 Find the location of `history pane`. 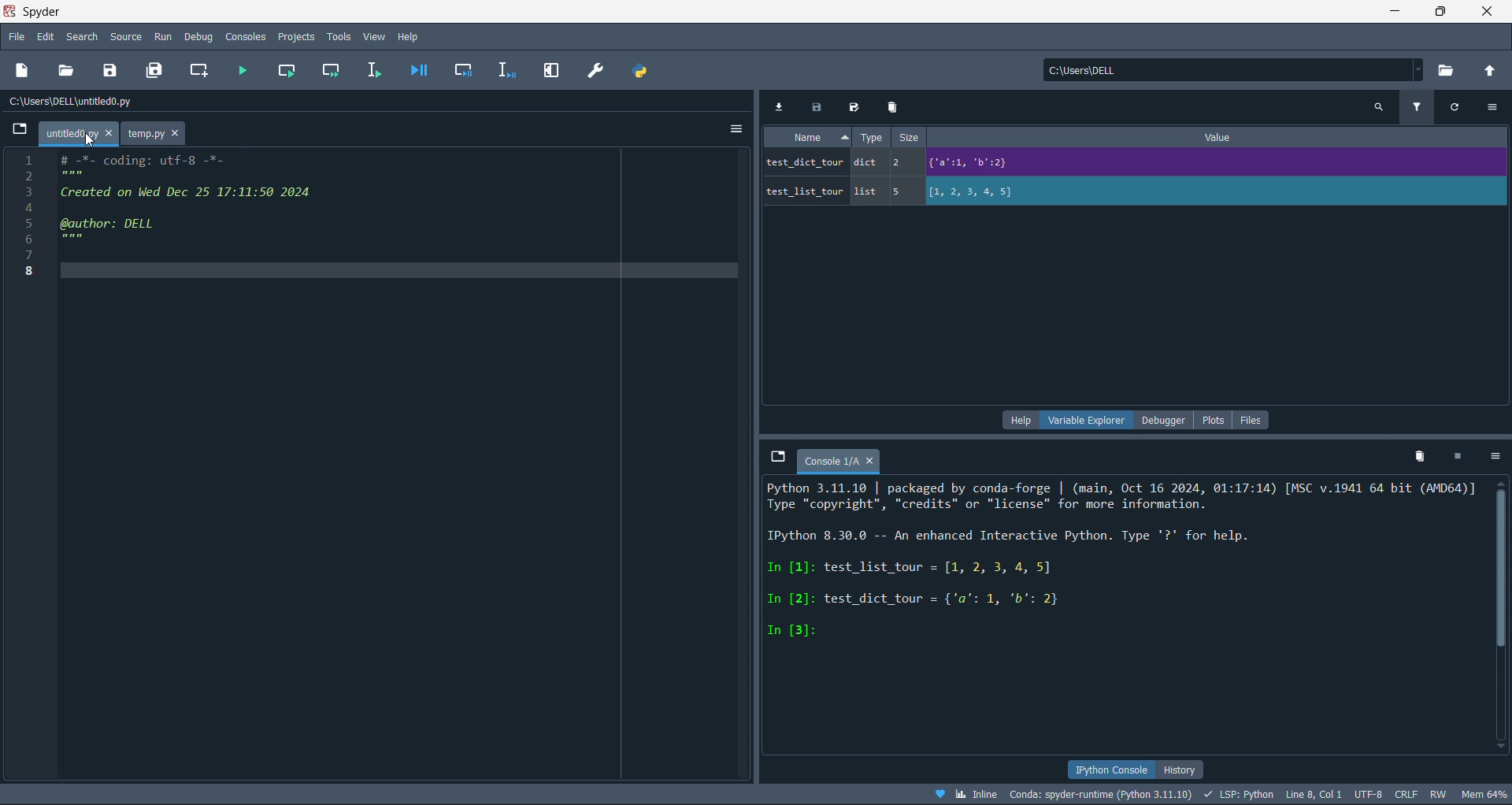

history pane is located at coordinates (1175, 768).